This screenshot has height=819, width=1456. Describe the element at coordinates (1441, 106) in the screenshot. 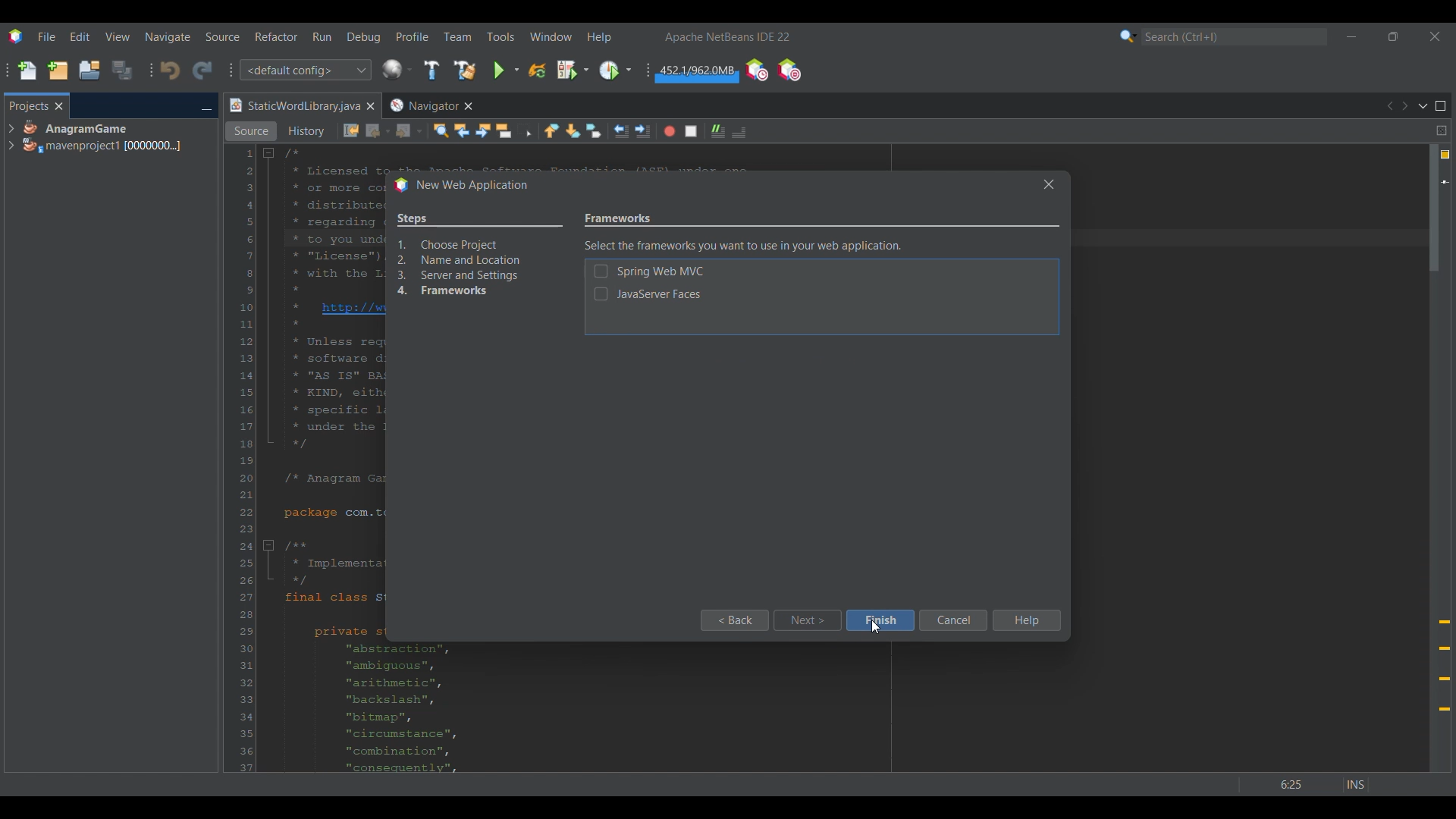

I see `Maximize window` at that location.